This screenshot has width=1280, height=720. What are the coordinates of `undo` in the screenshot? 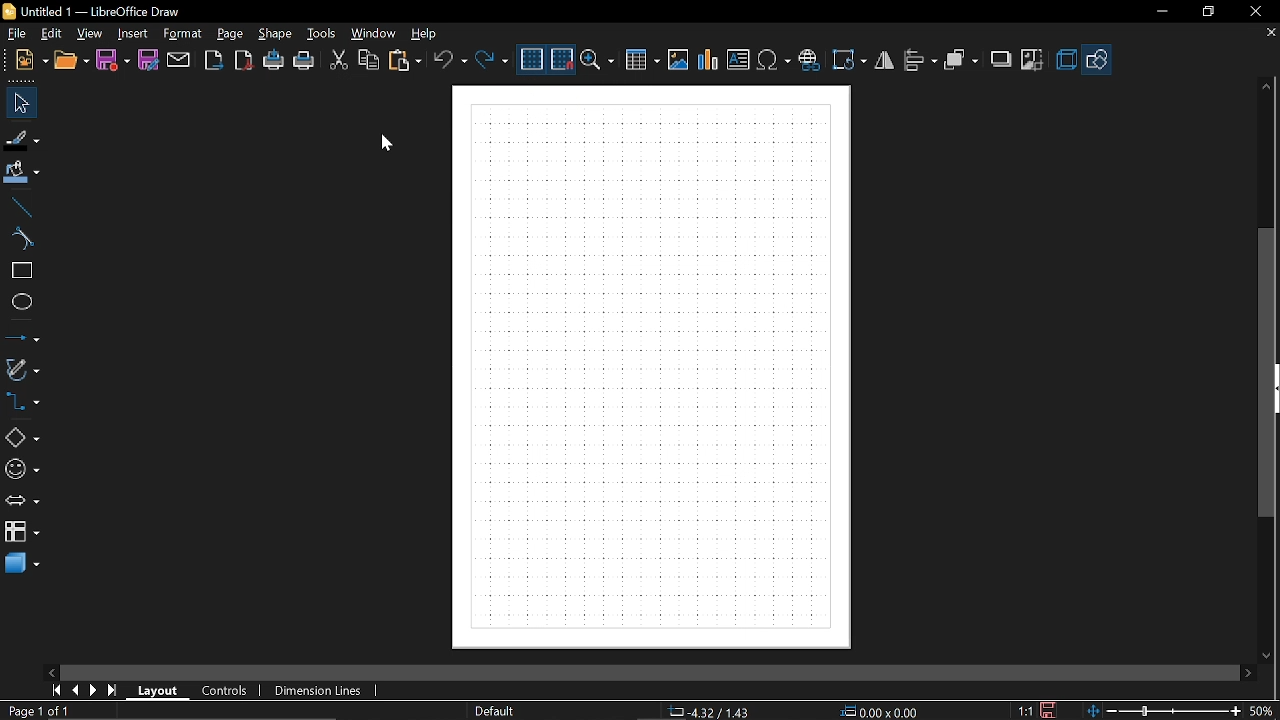 It's located at (451, 61).